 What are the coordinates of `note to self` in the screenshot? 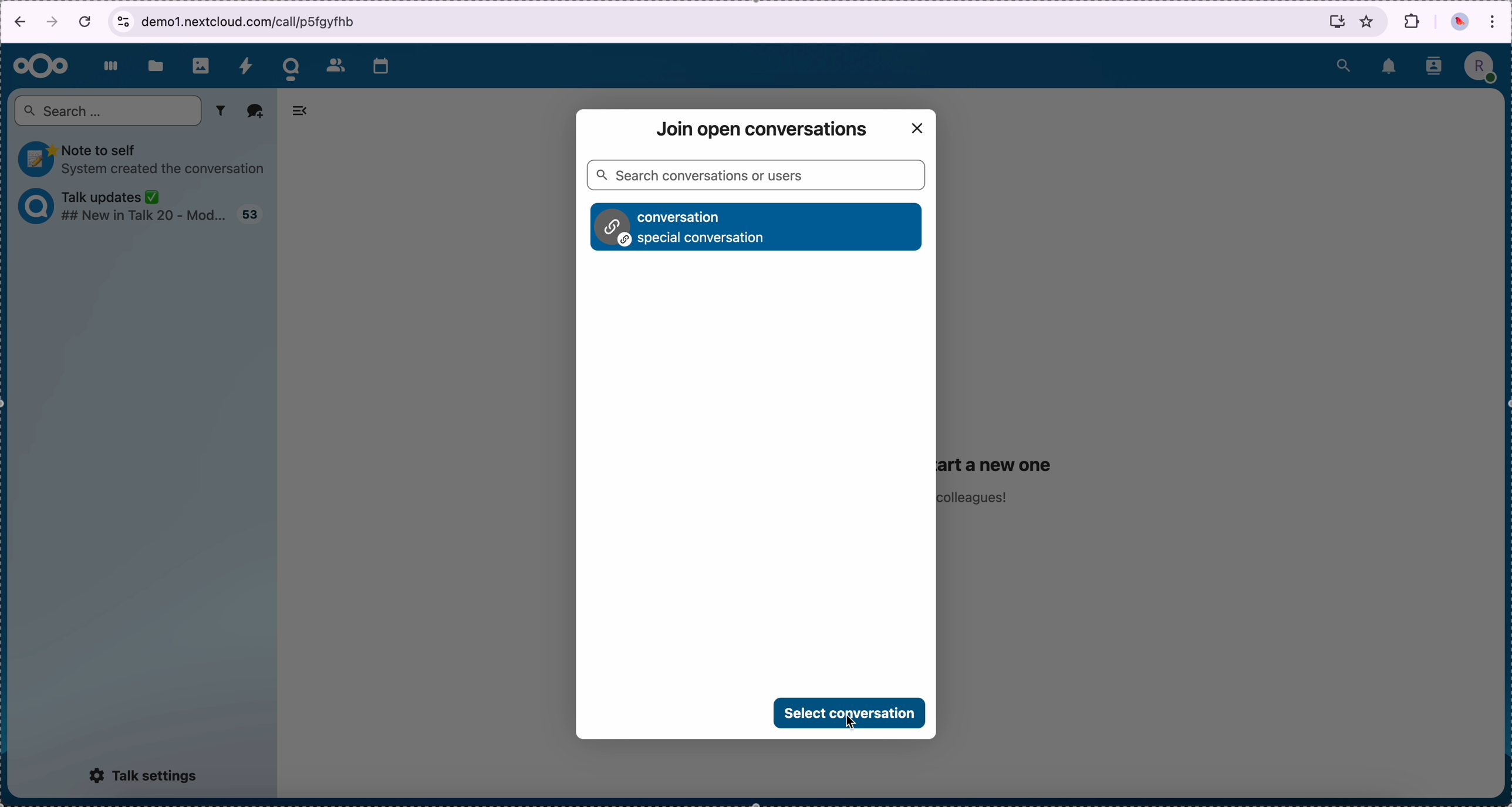 It's located at (144, 160).